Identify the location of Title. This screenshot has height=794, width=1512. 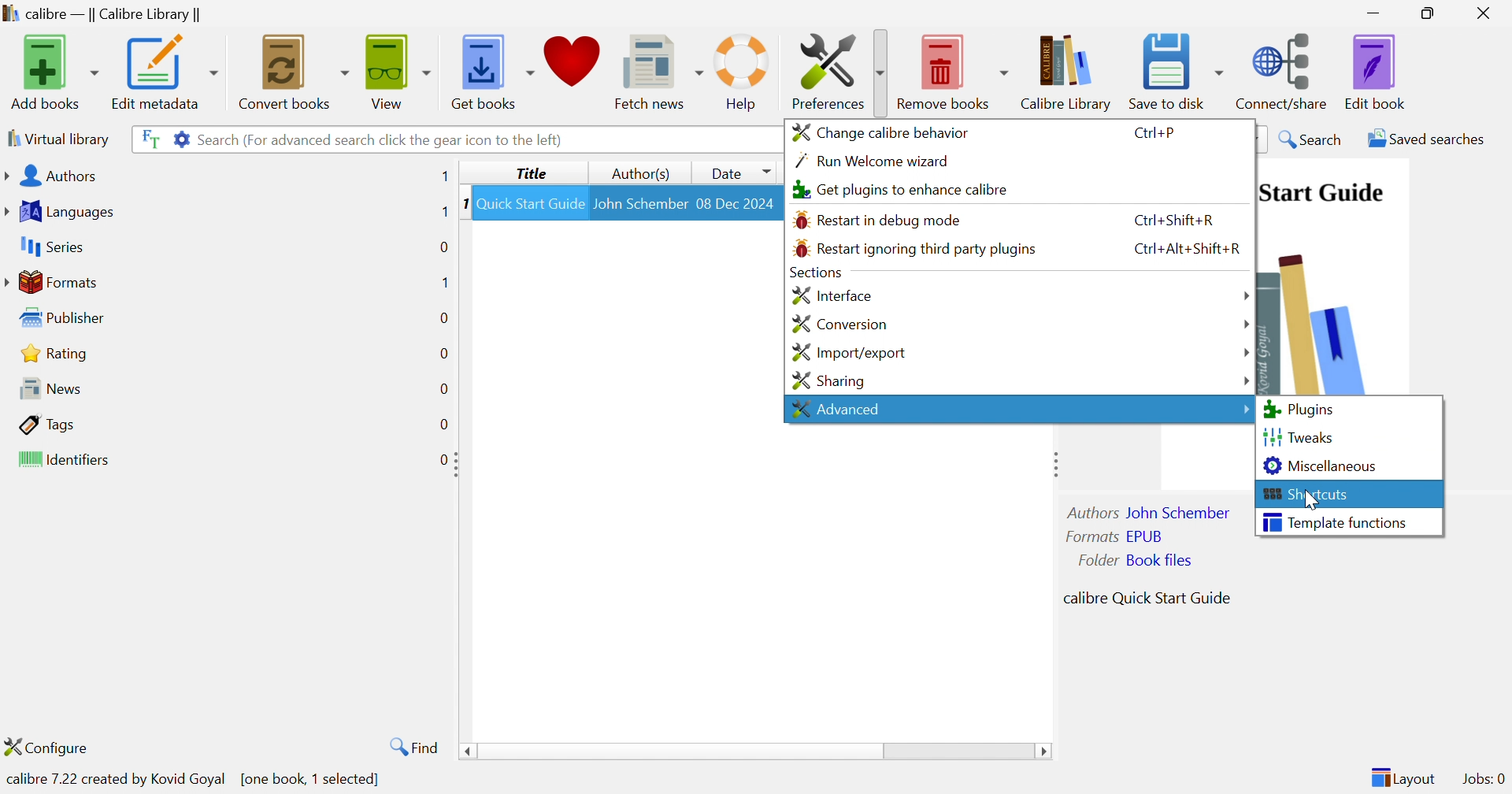
(535, 173).